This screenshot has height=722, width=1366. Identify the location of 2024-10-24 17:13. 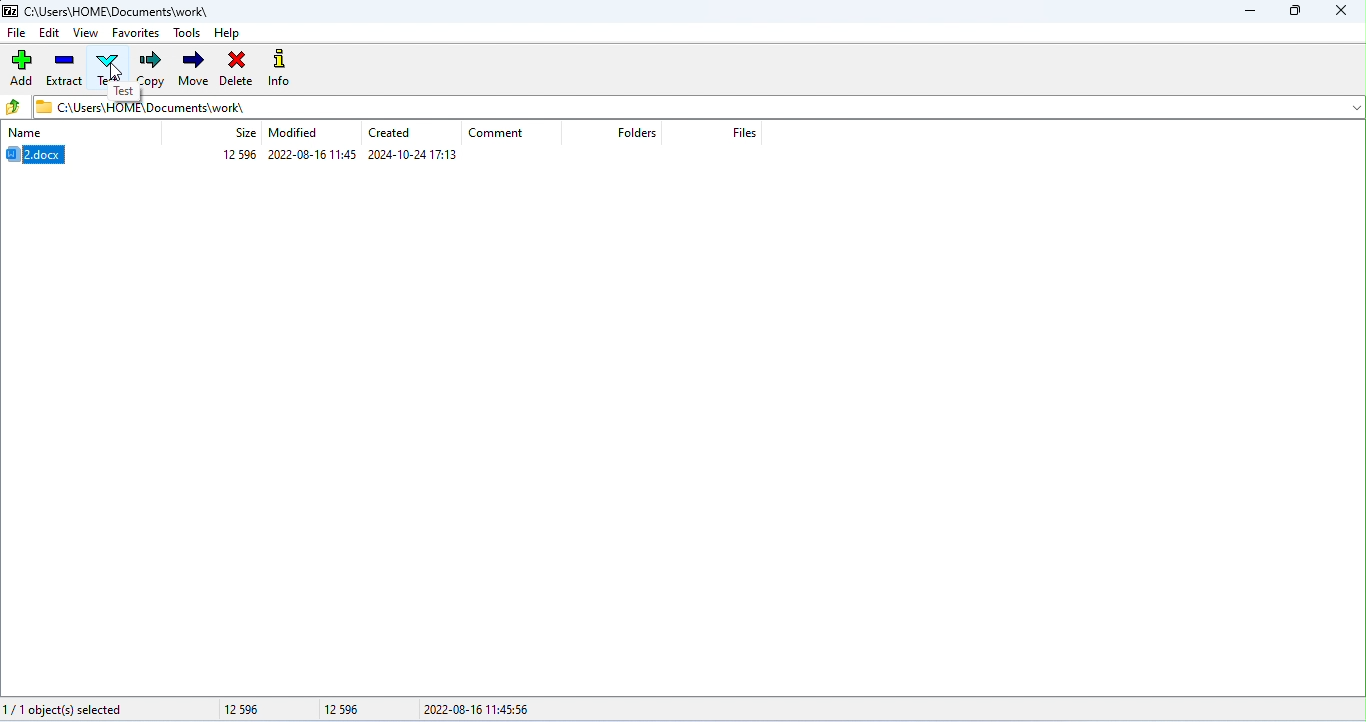
(413, 155).